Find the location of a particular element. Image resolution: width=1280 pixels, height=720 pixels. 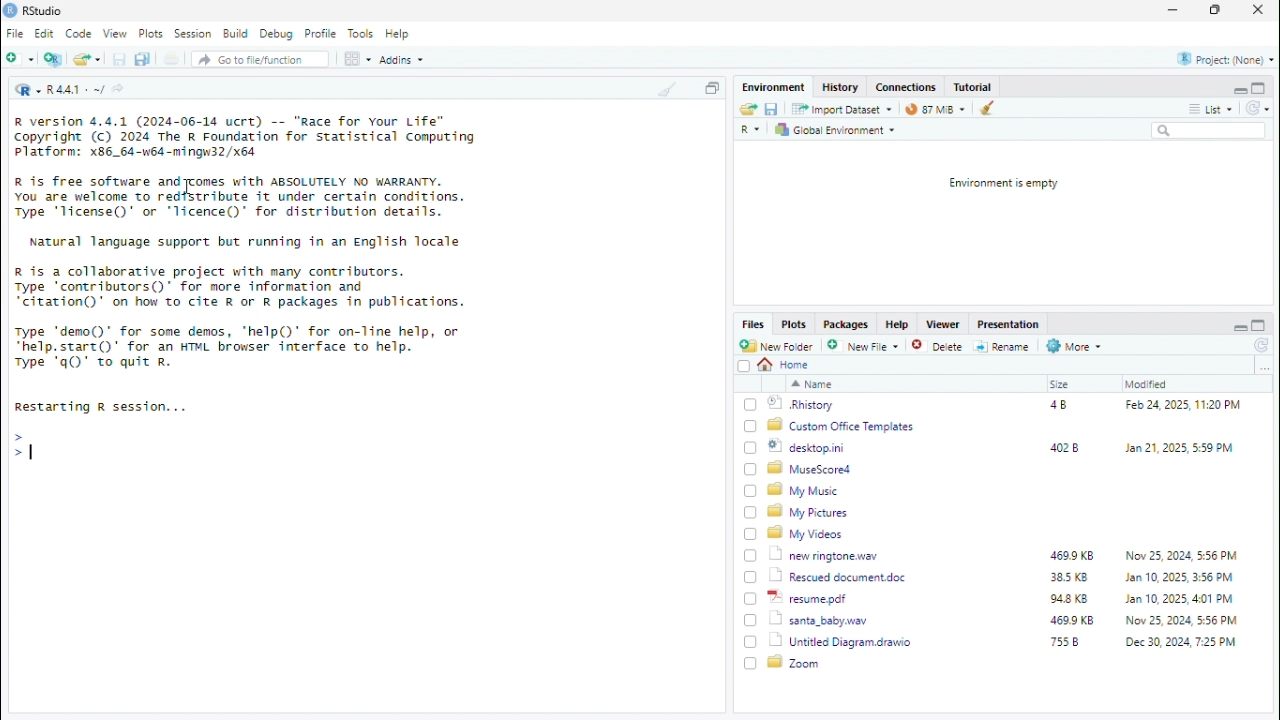

Checkbox is located at coordinates (751, 491).